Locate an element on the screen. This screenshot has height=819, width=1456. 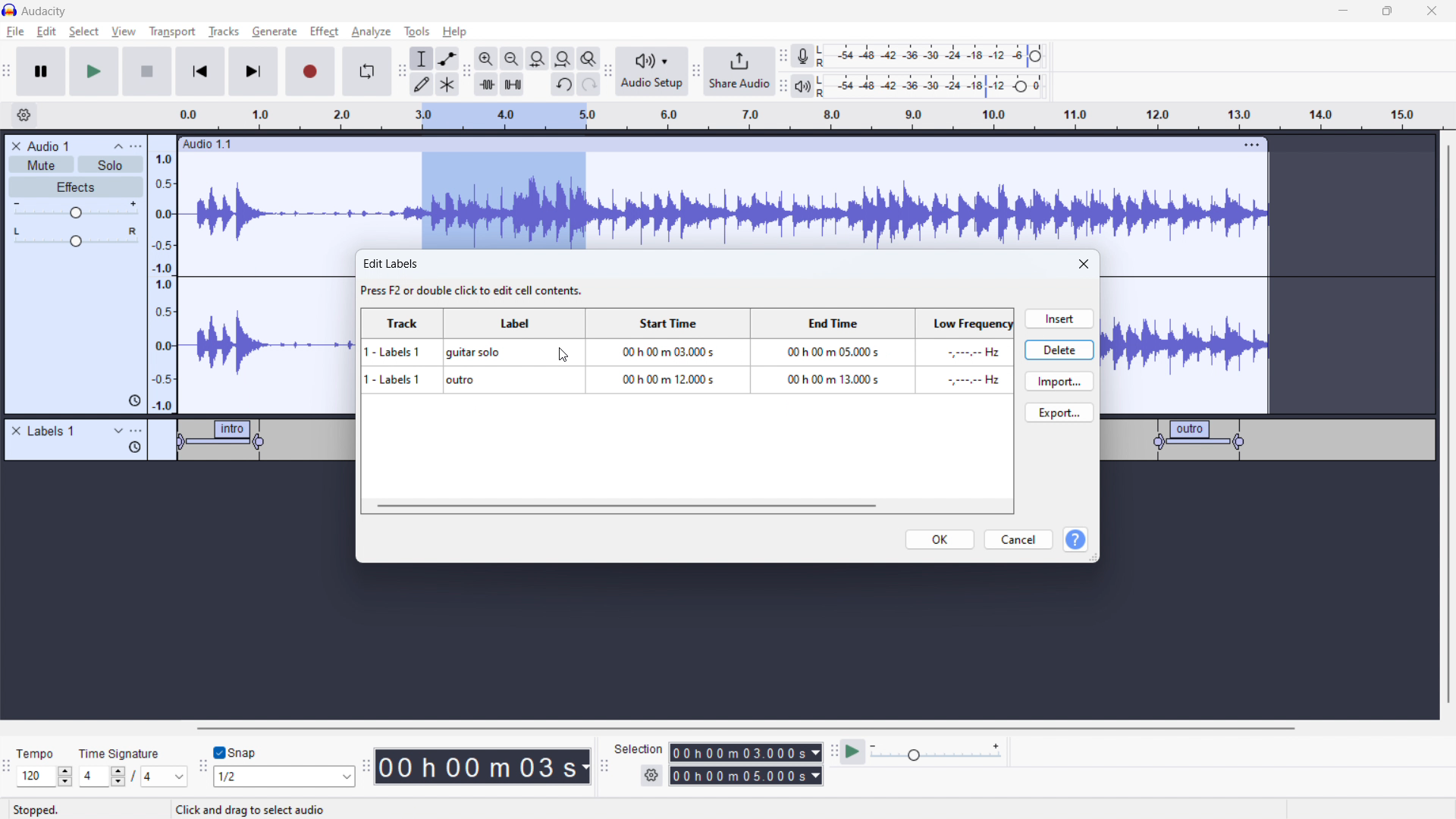
timeline is located at coordinates (839, 116).